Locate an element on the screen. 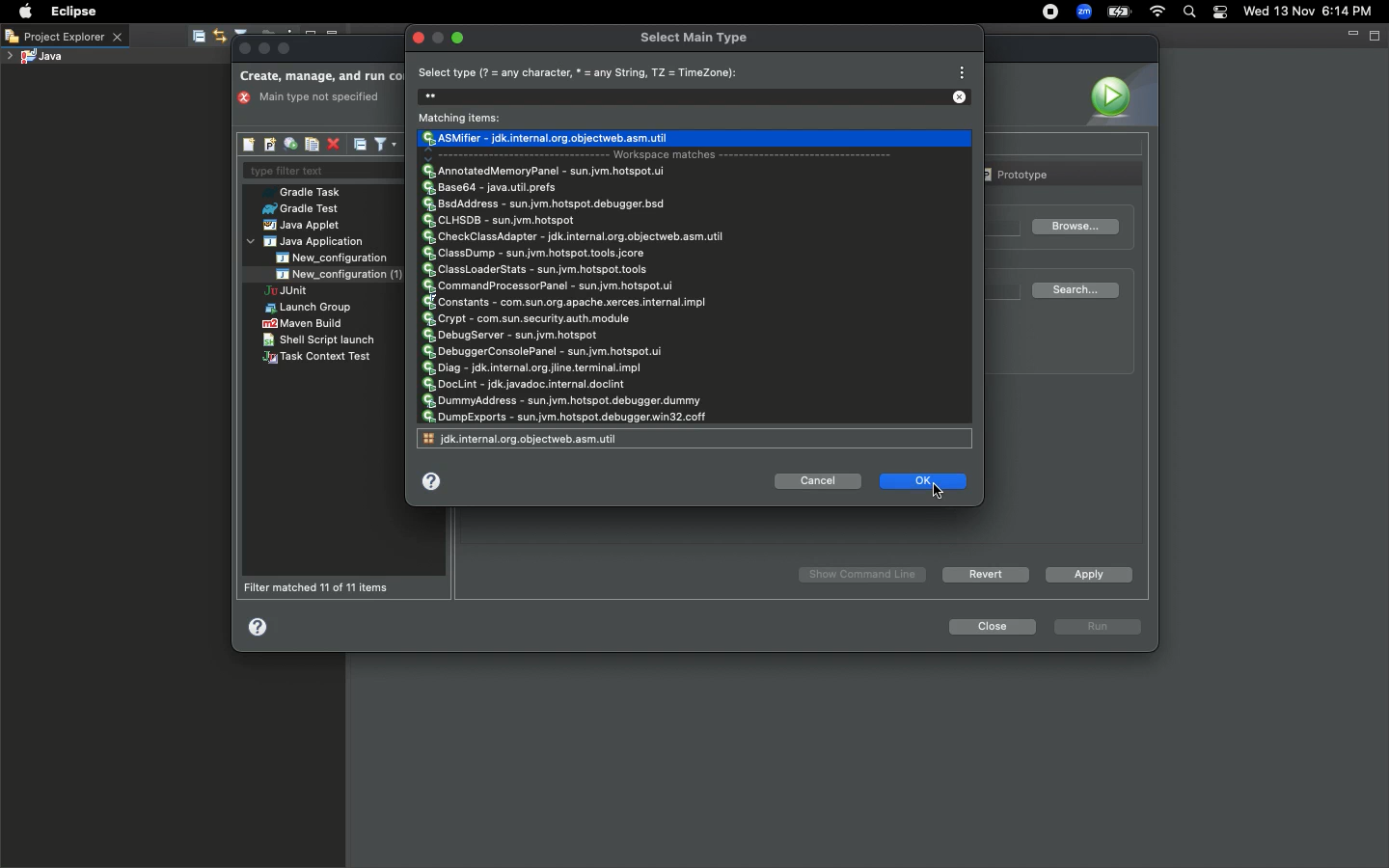 The width and height of the screenshot is (1389, 868). BsdAddress - sun.jvm.hotspot.debugger.bsd is located at coordinates (546, 205).